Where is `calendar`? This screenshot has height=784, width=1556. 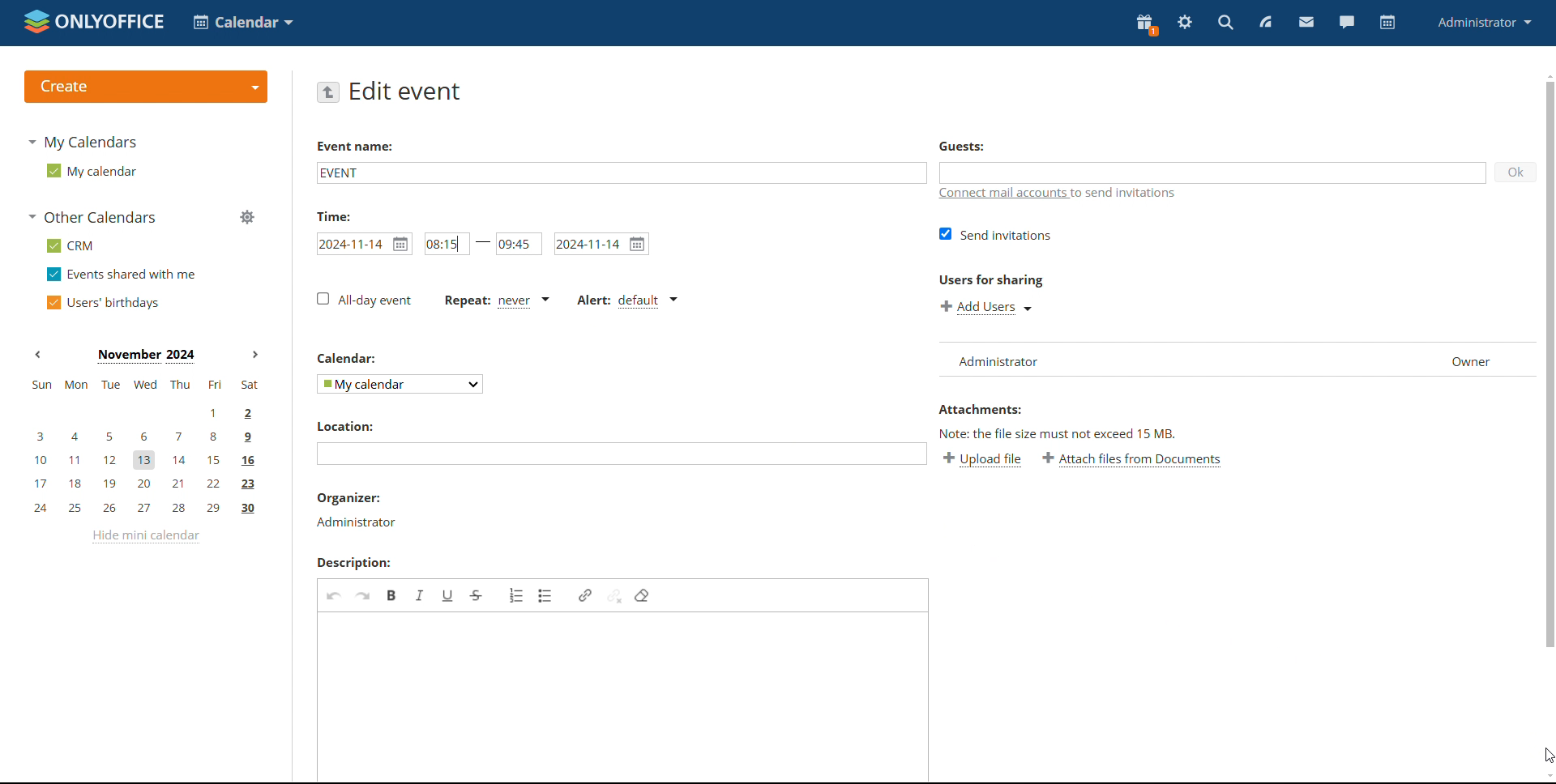 calendar is located at coordinates (1386, 23).